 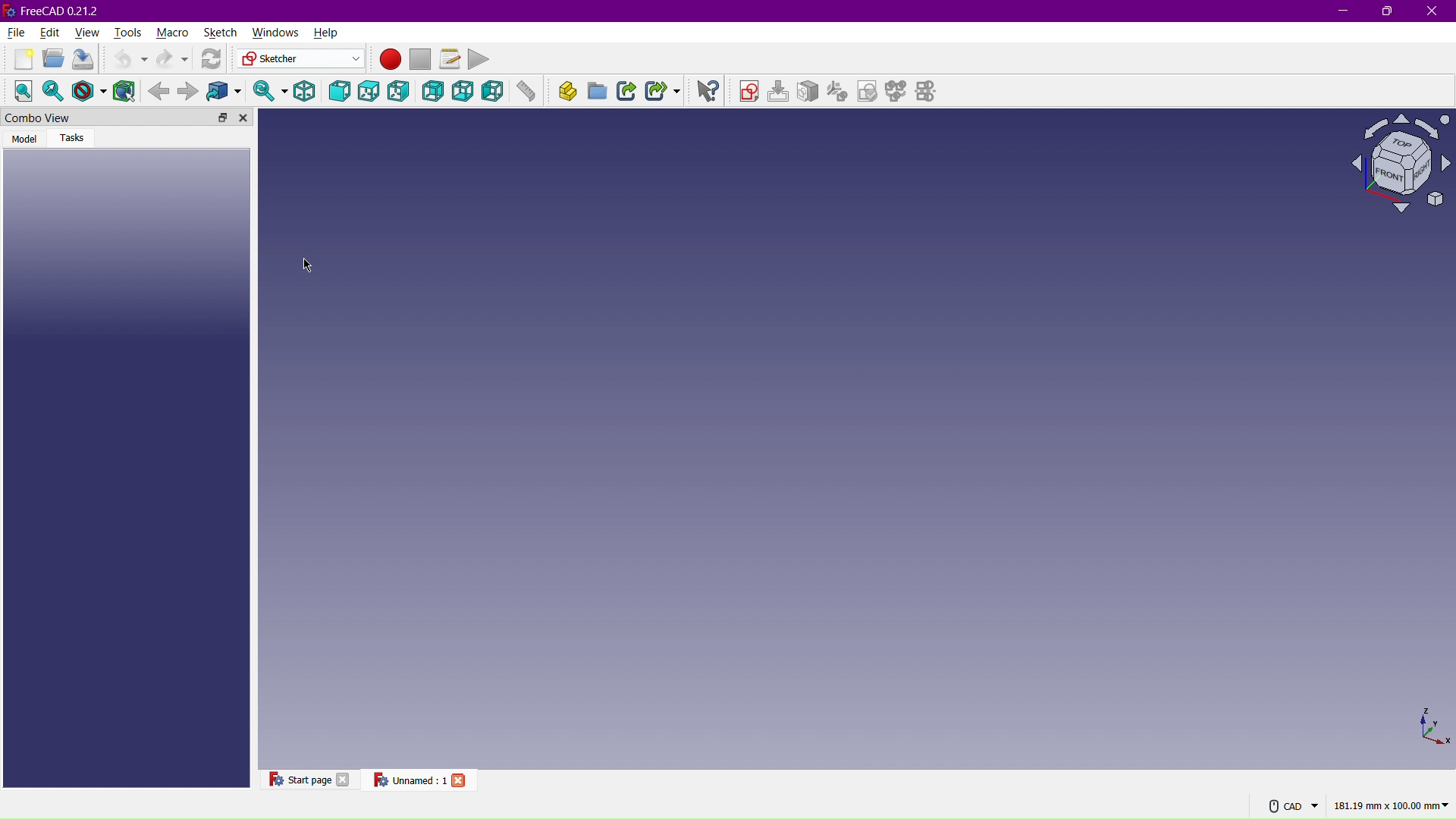 I want to click on Start page, so click(x=299, y=778).